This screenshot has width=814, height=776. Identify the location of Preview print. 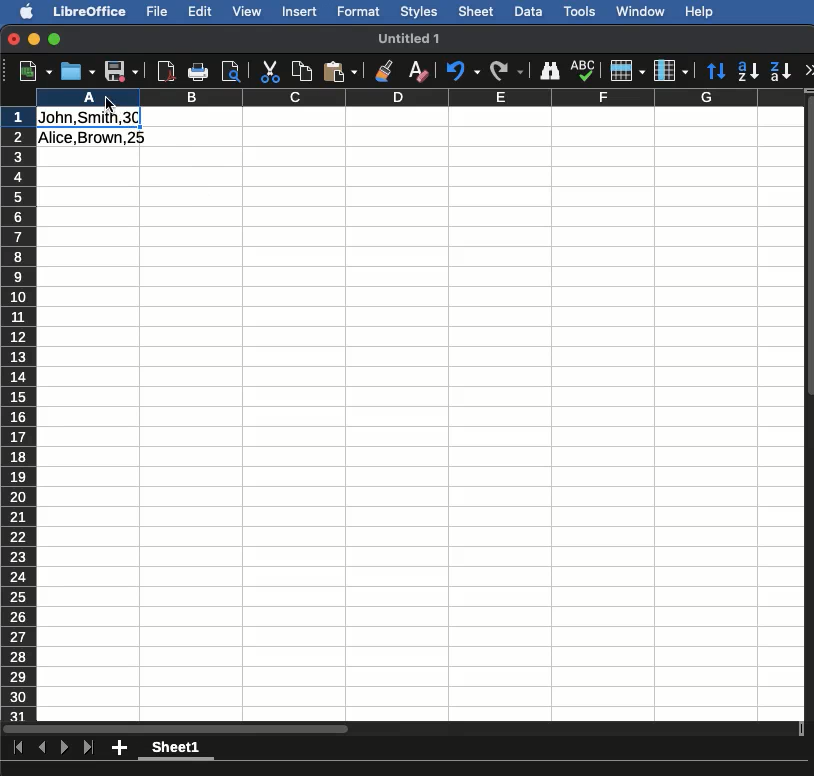
(231, 72).